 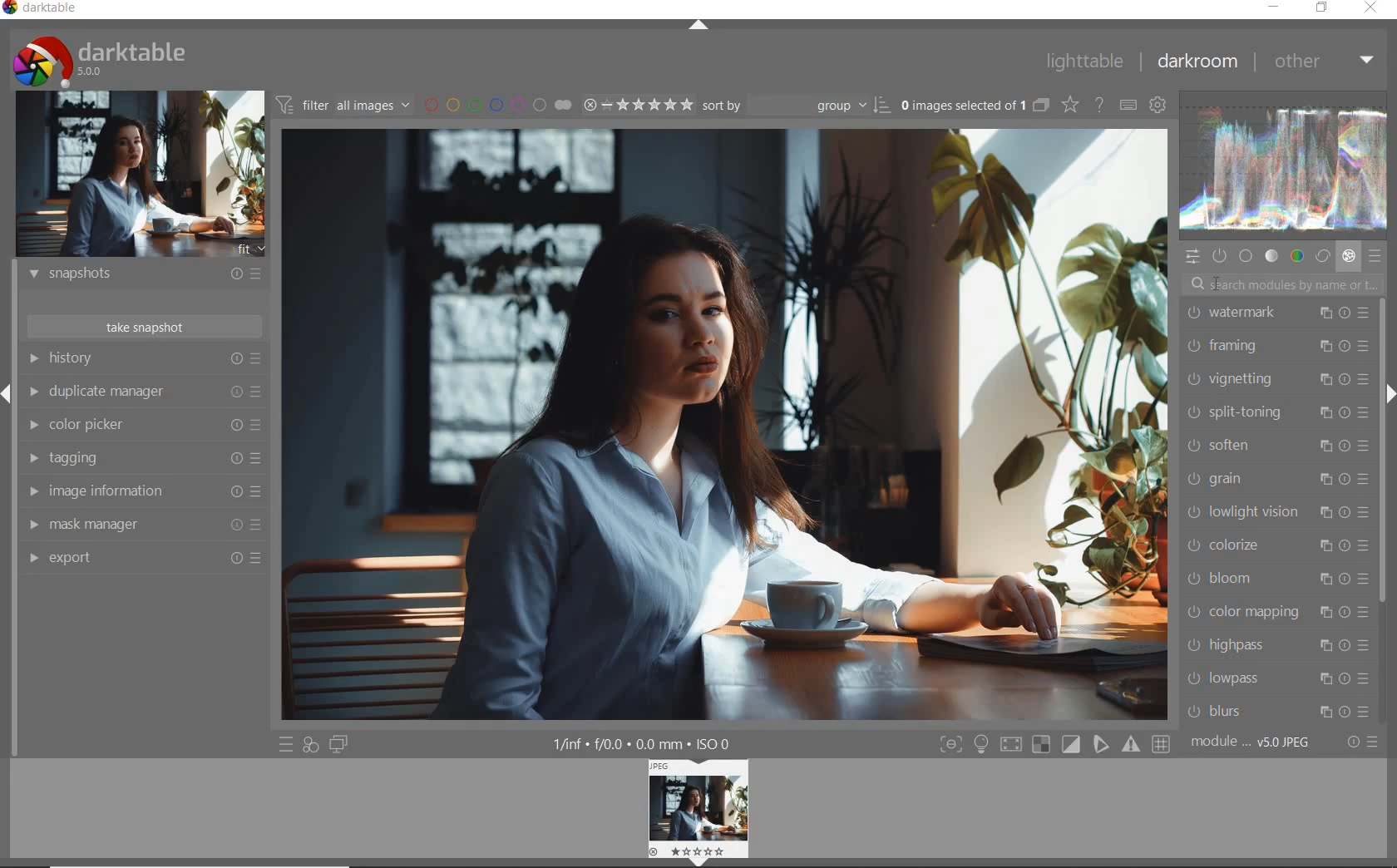 What do you see at coordinates (1298, 256) in the screenshot?
I see `color` at bounding box center [1298, 256].